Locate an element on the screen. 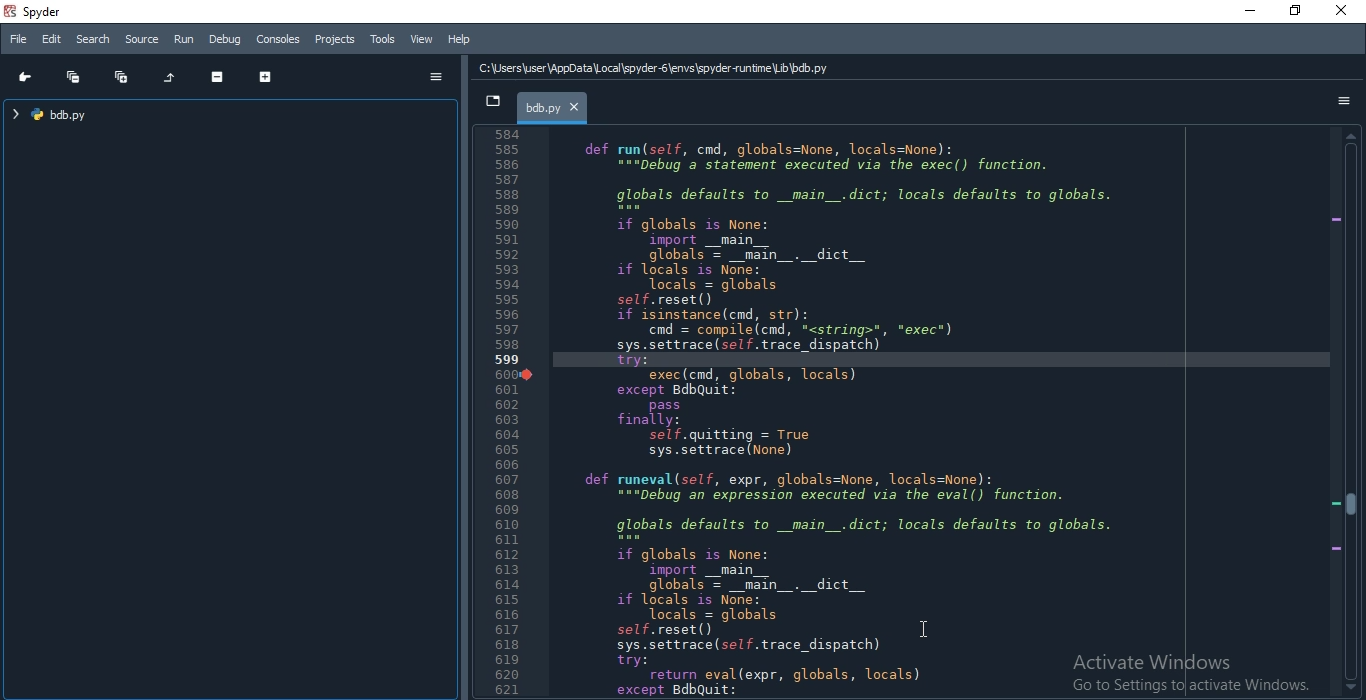  Collapse section is located at coordinates (218, 76).